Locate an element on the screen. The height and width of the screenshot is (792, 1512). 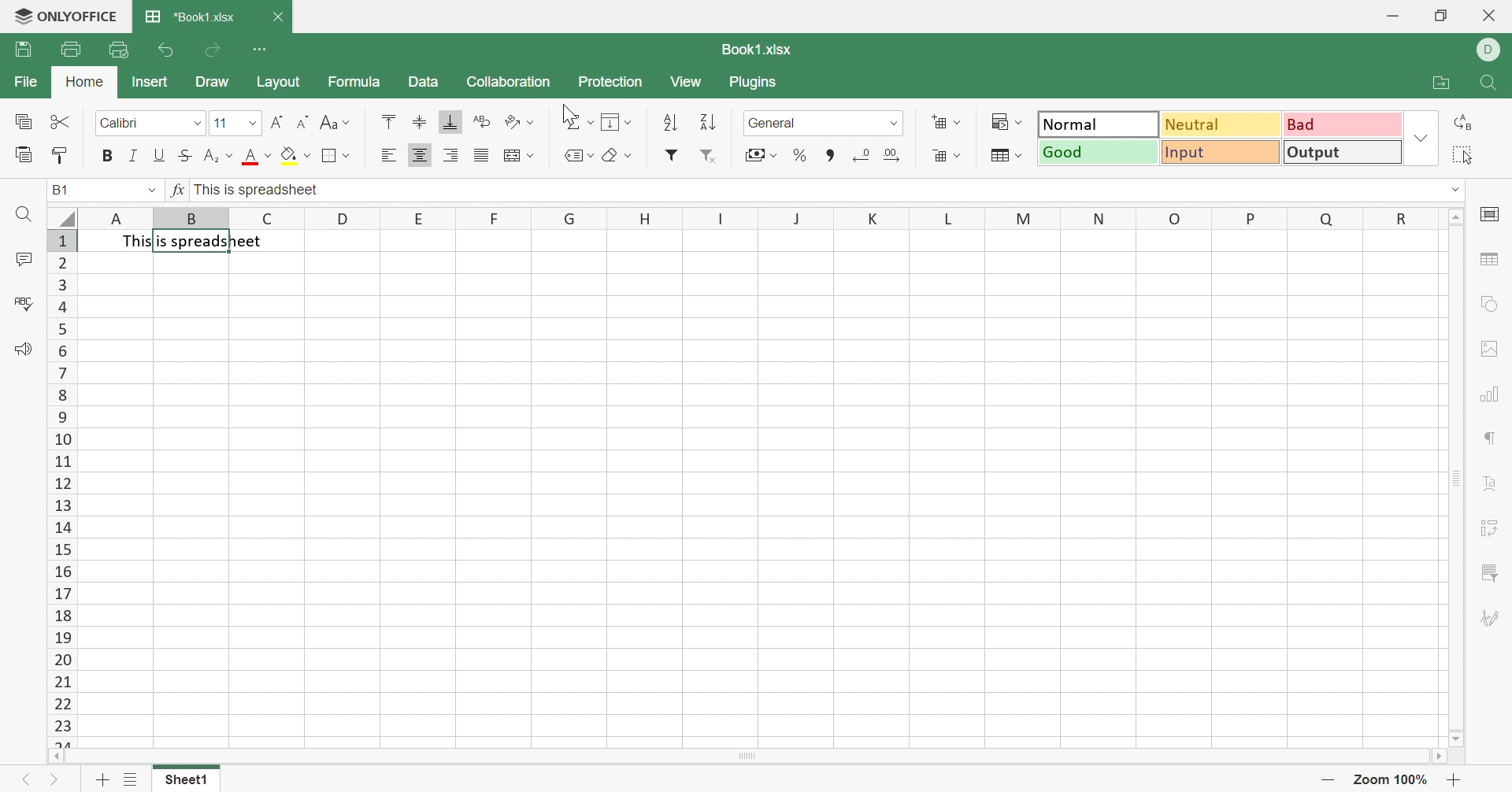
Good is located at coordinates (1100, 152).